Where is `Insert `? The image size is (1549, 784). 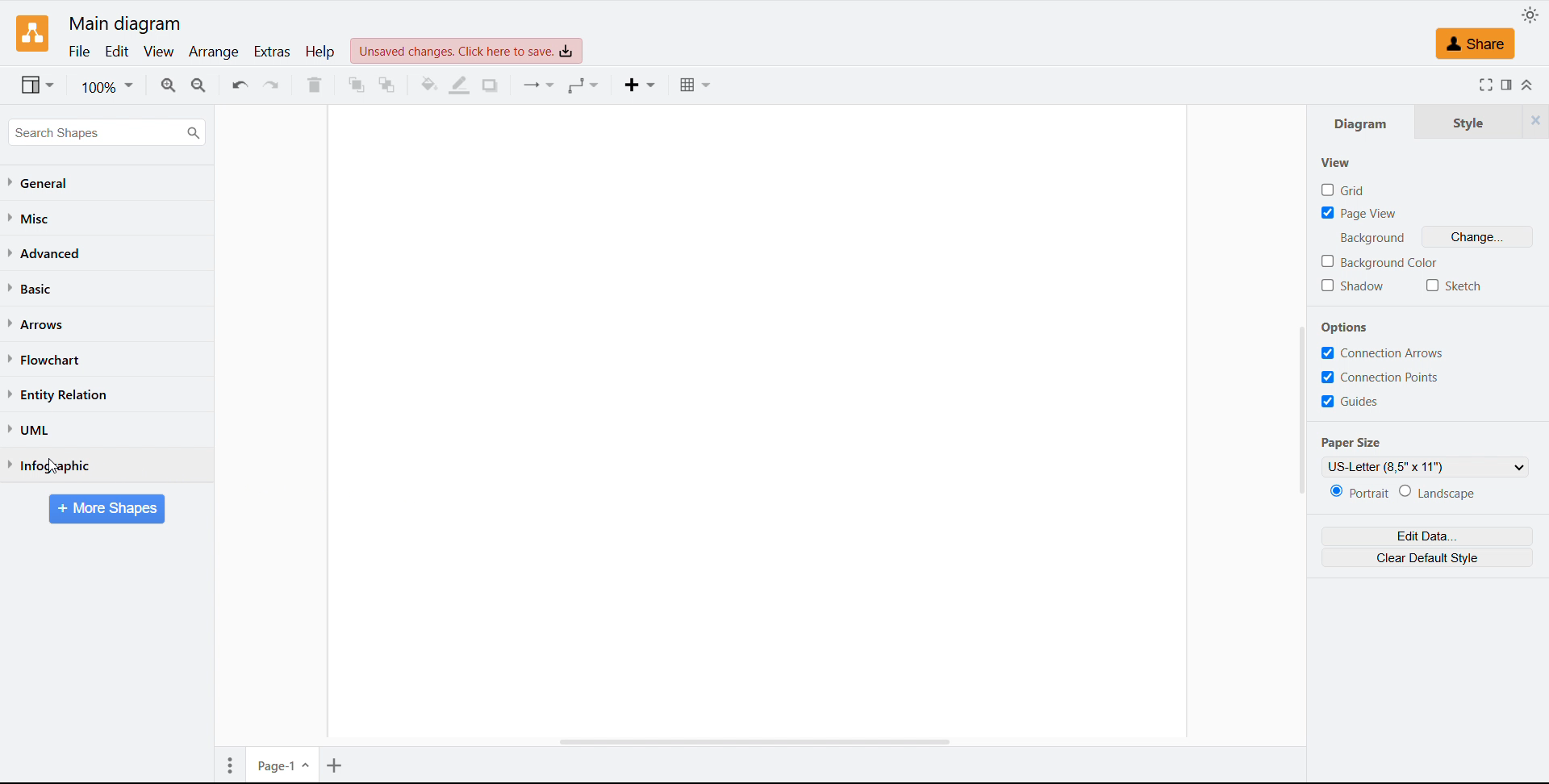 Insert  is located at coordinates (642, 84).